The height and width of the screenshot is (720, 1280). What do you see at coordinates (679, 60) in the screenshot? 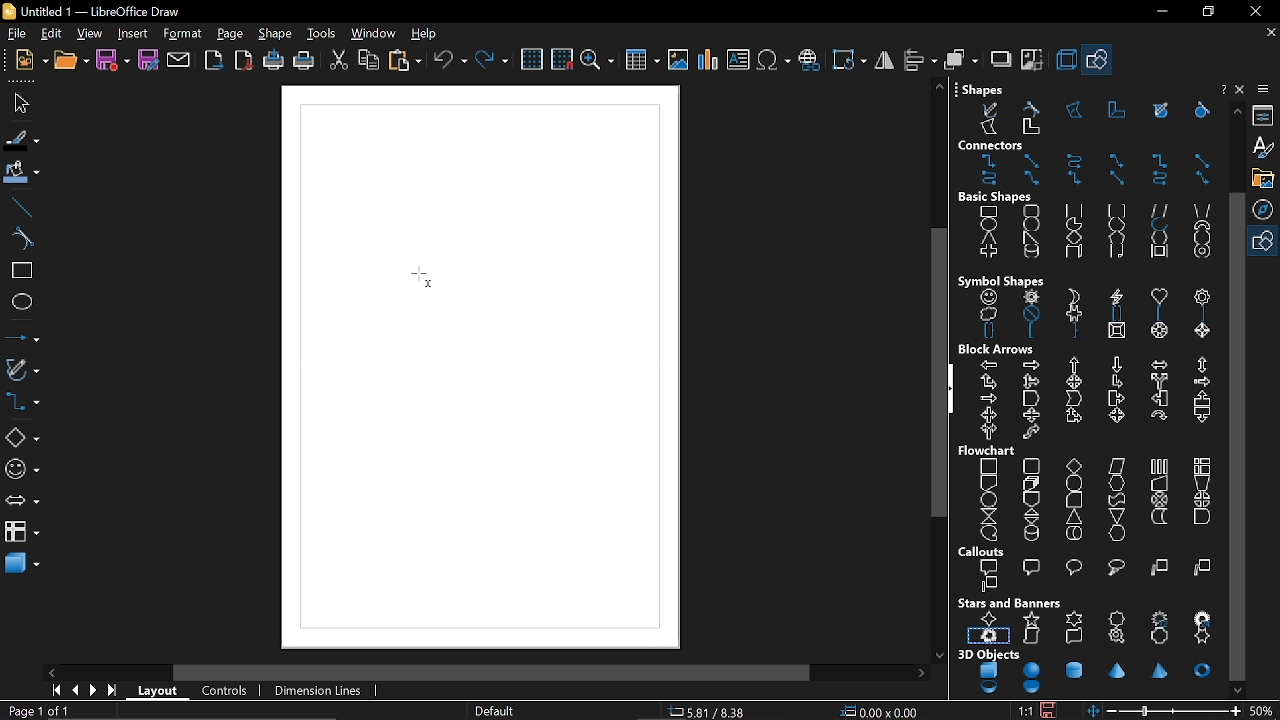
I see `Insert image` at bounding box center [679, 60].